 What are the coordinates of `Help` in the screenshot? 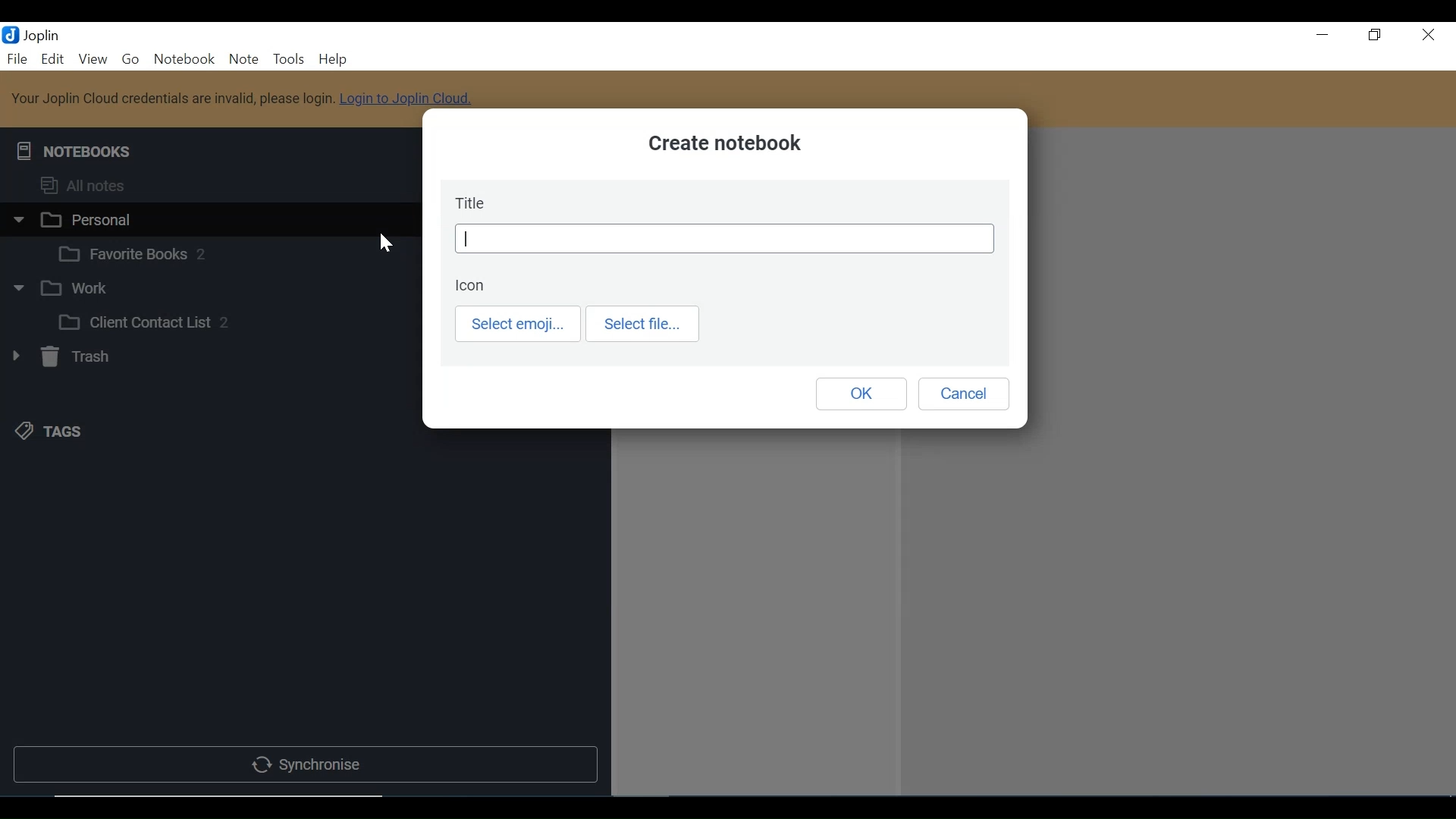 It's located at (333, 60).